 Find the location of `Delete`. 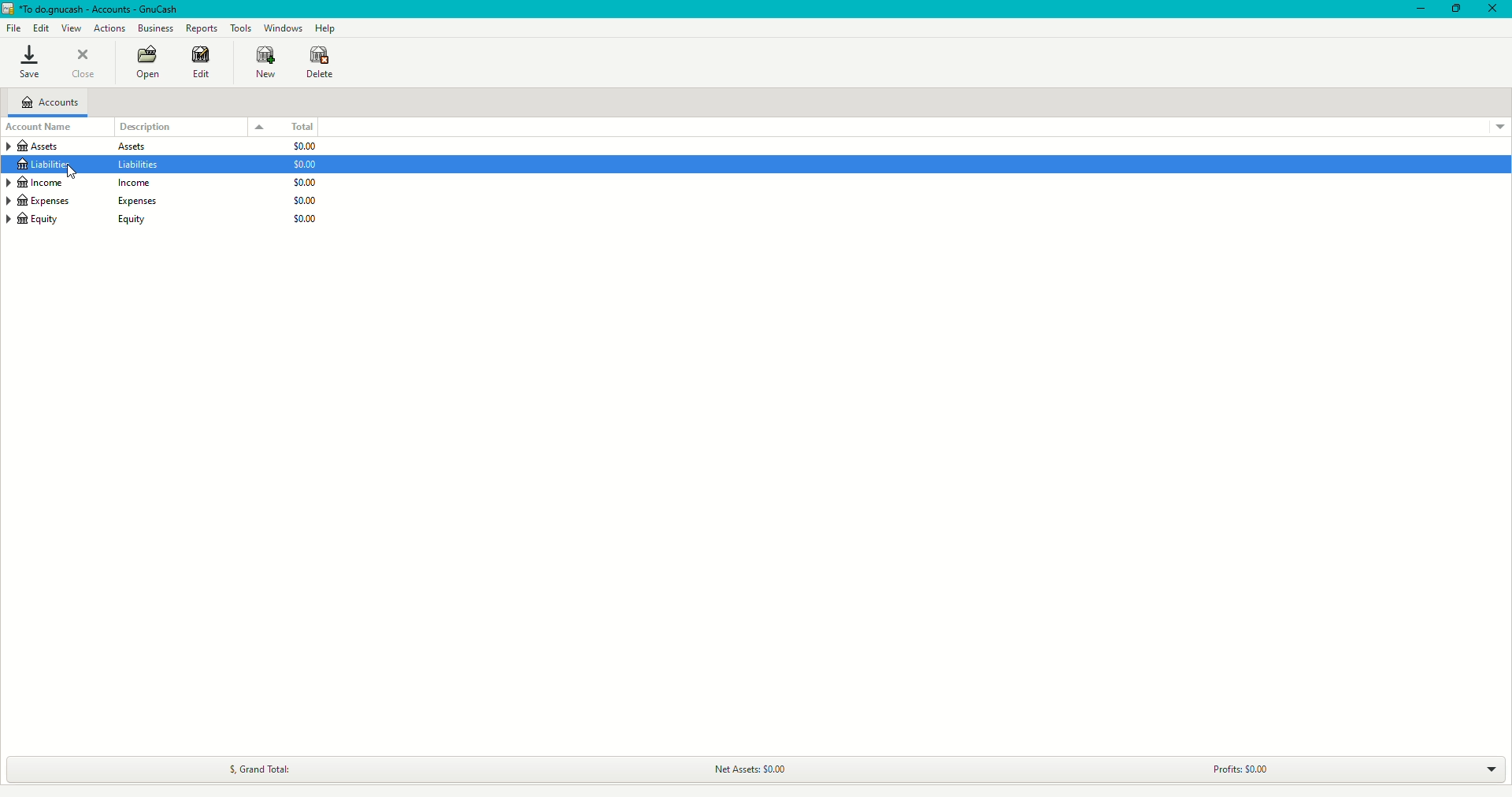

Delete is located at coordinates (323, 61).